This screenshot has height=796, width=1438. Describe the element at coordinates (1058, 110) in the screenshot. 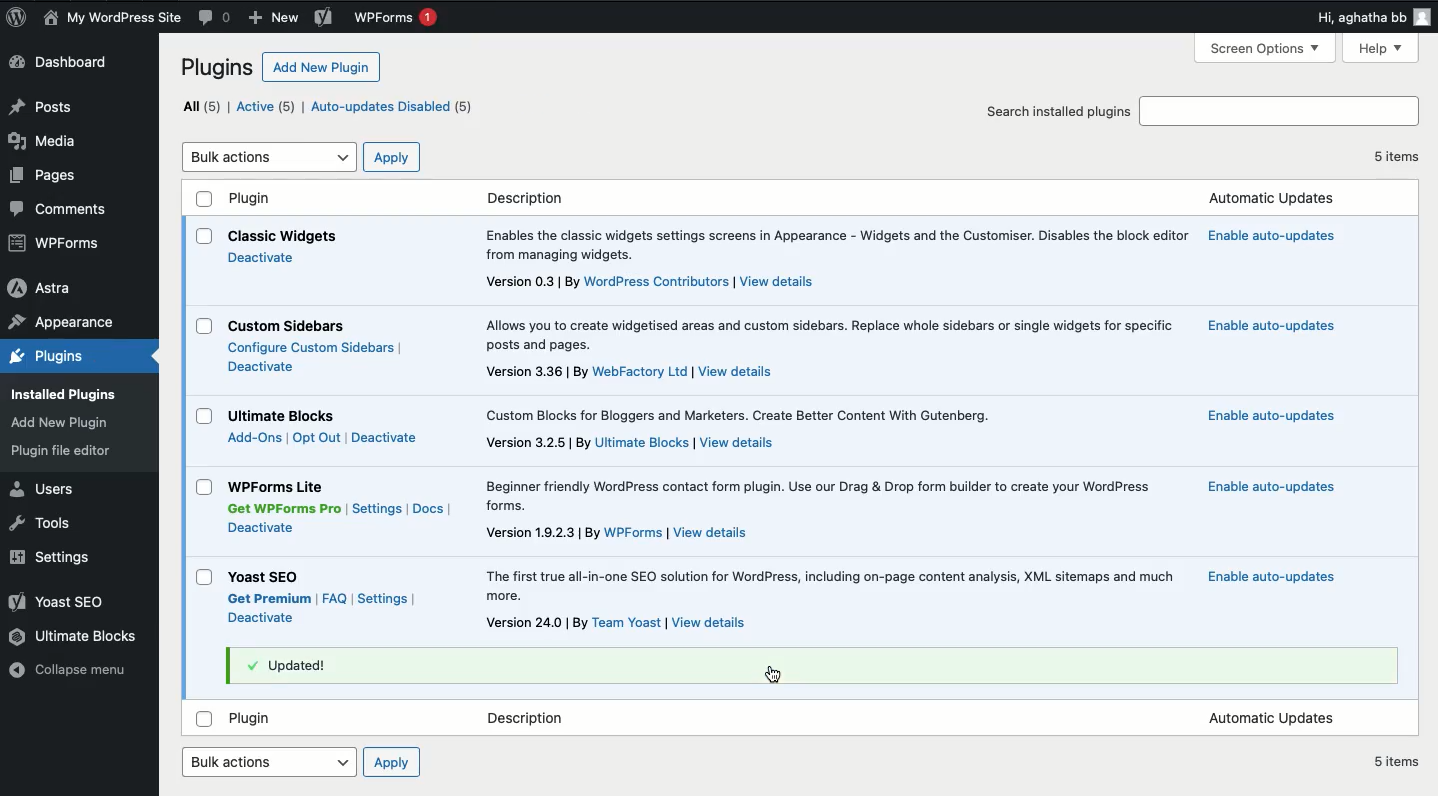

I see `Search plugins` at that location.